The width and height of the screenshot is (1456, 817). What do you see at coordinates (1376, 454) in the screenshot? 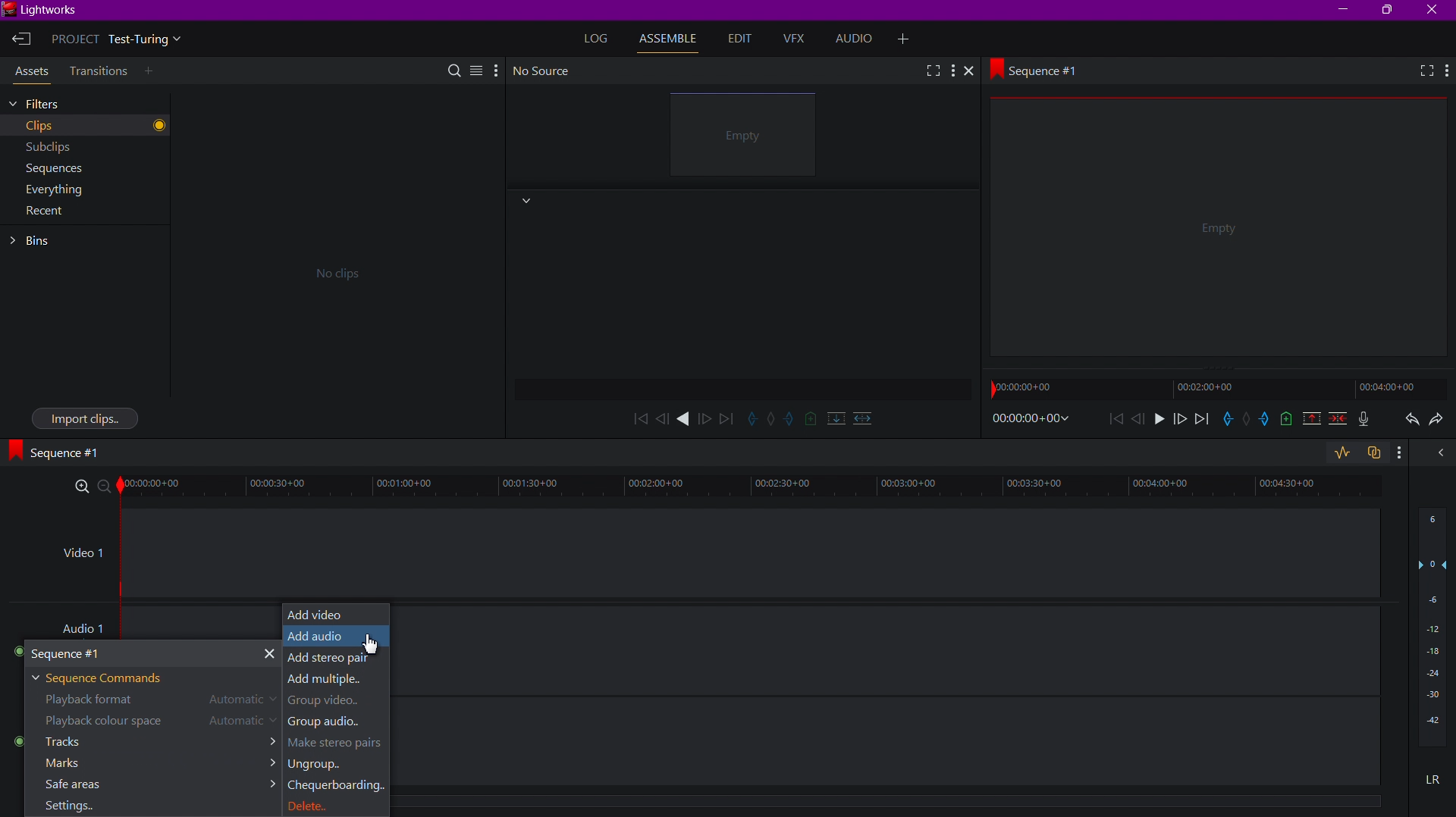
I see `Paste` at bounding box center [1376, 454].